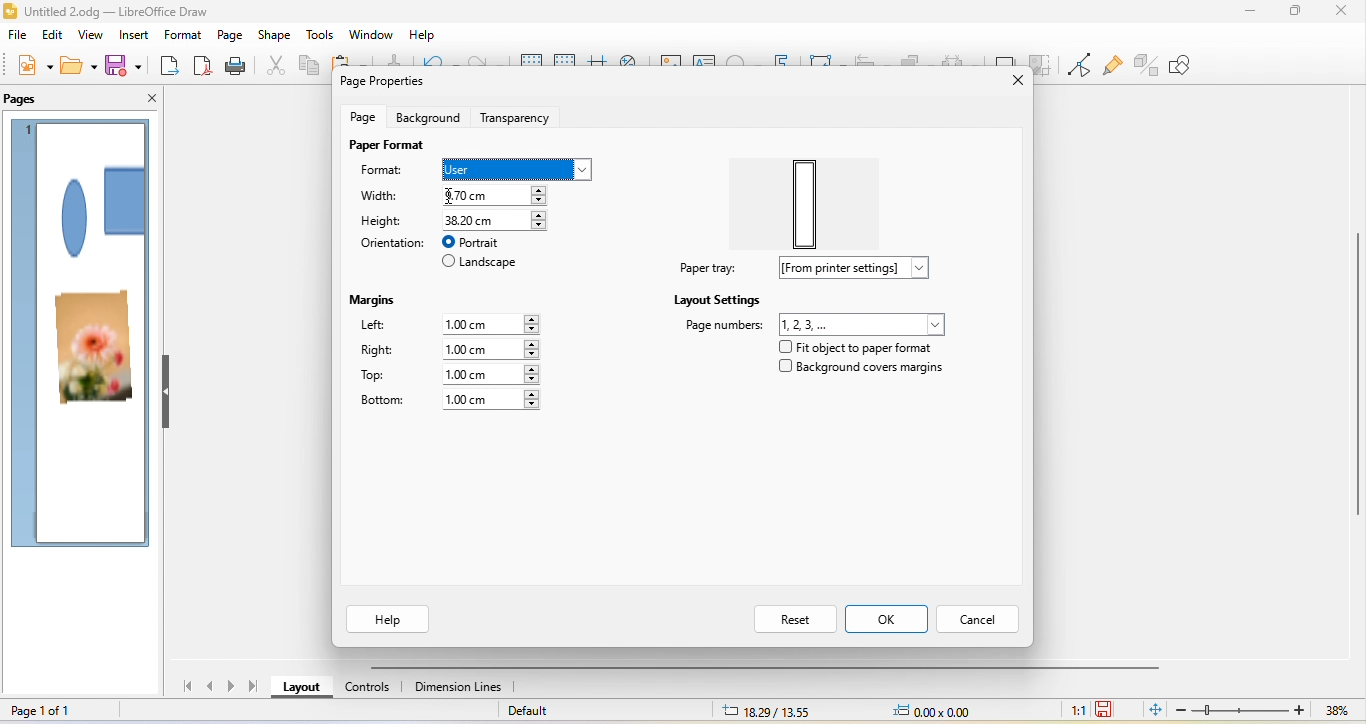 The image size is (1366, 724). What do you see at coordinates (353, 62) in the screenshot?
I see `paste` at bounding box center [353, 62].